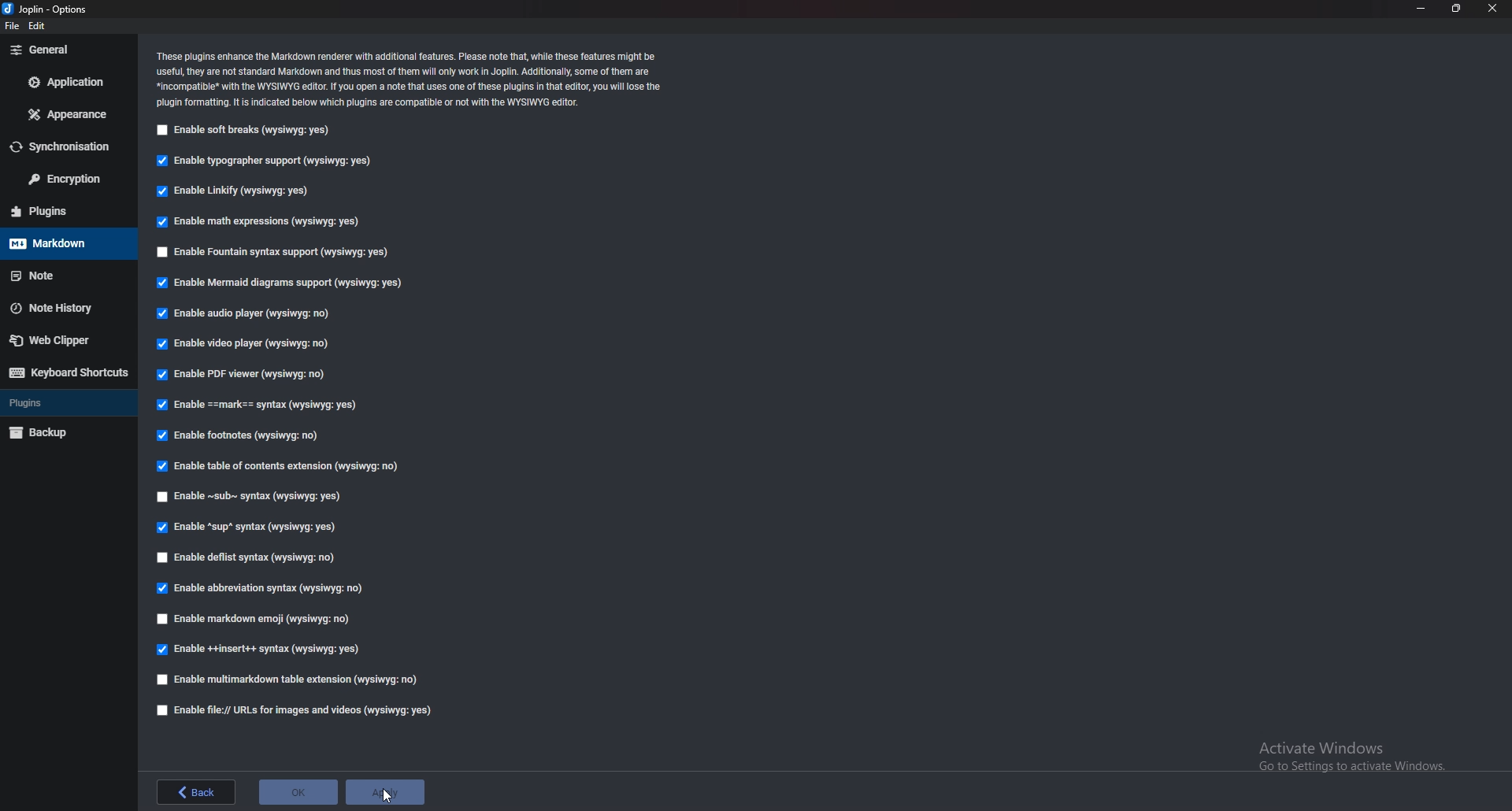 This screenshot has width=1512, height=811. Describe the element at coordinates (242, 435) in the screenshot. I see ` Enable footnotes` at that location.